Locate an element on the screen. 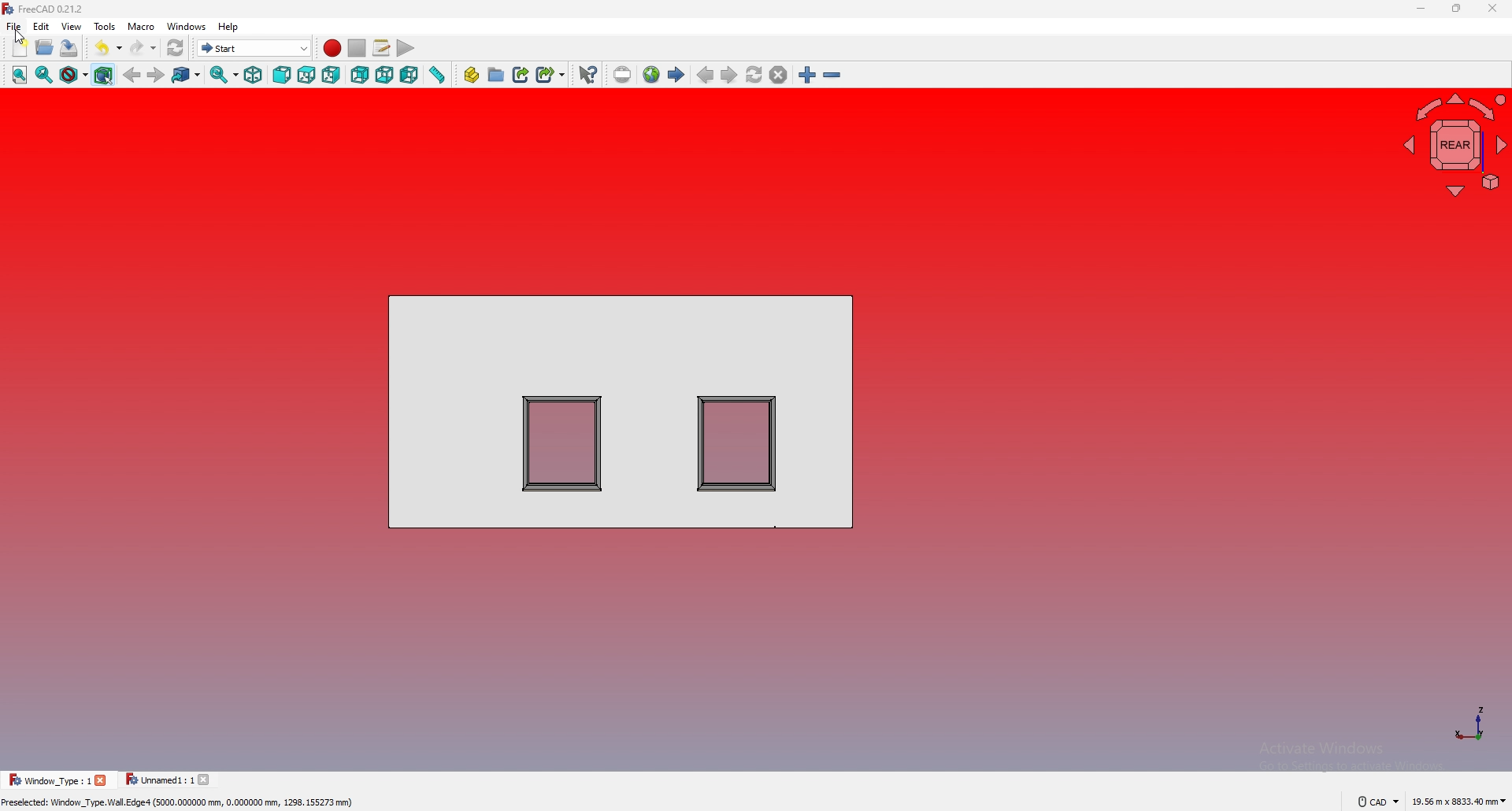 The width and height of the screenshot is (1512, 811). fit selection is located at coordinates (45, 74).